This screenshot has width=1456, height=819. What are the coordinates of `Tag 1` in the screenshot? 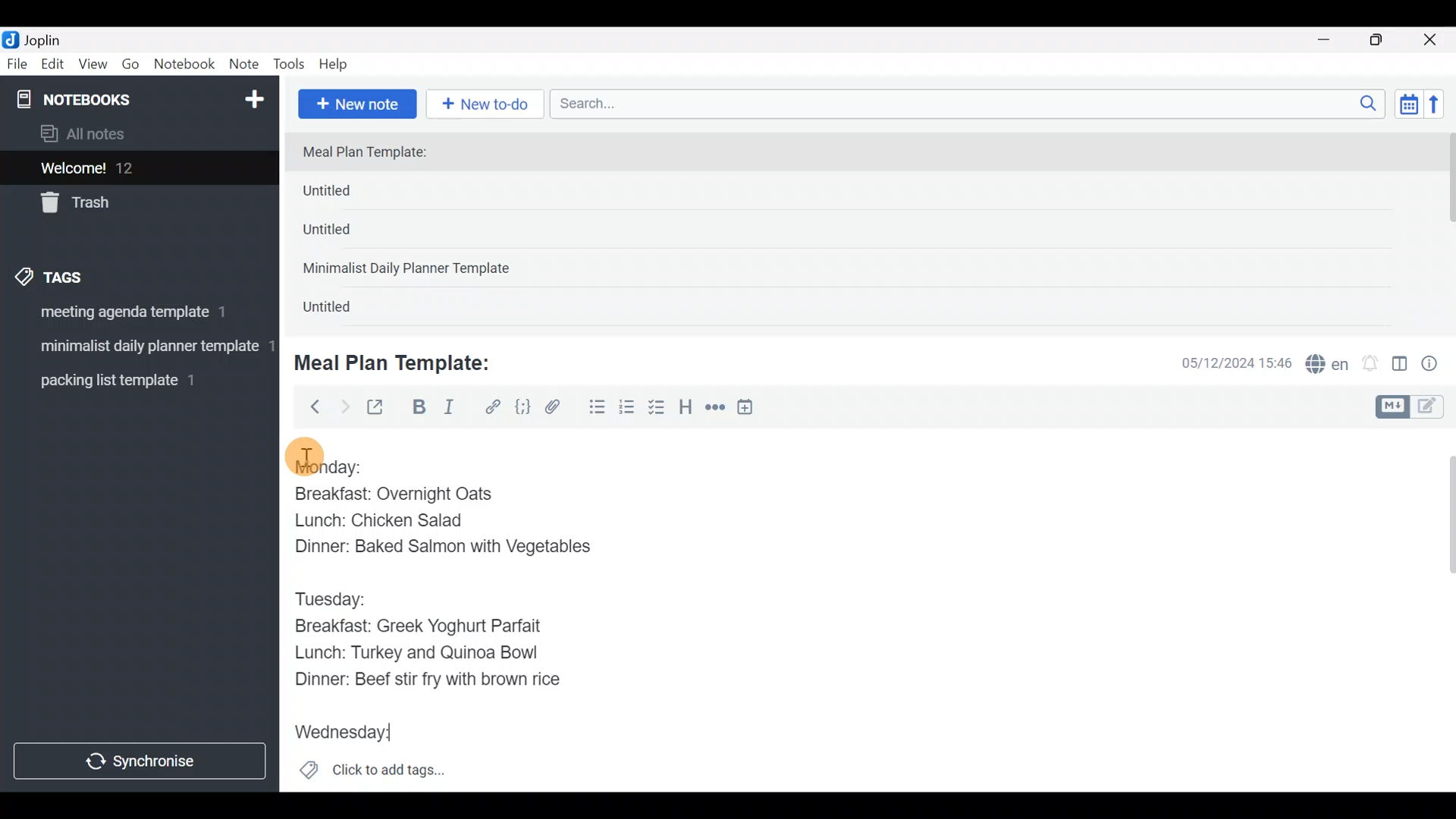 It's located at (135, 316).